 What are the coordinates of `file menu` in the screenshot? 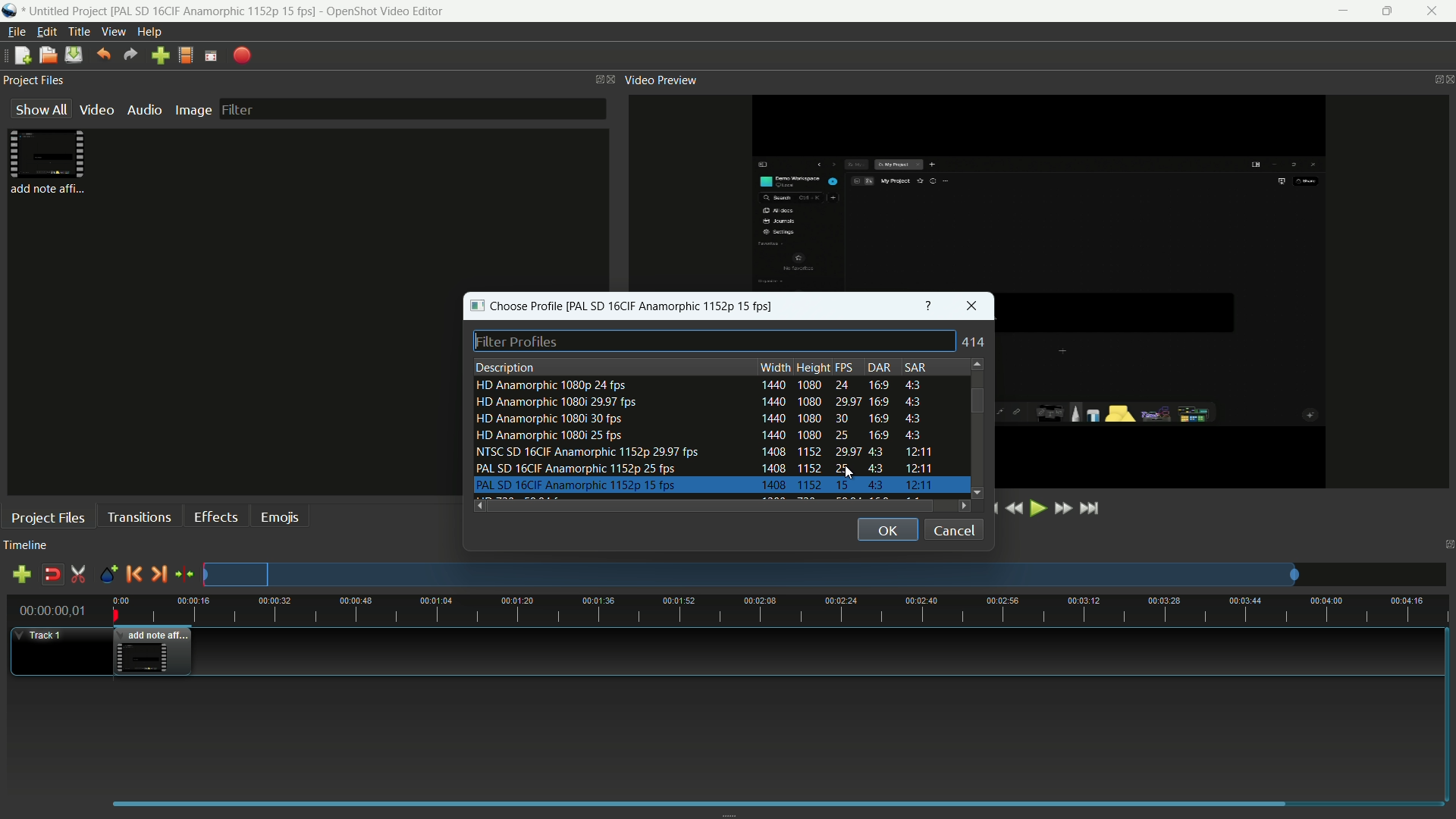 It's located at (14, 33).